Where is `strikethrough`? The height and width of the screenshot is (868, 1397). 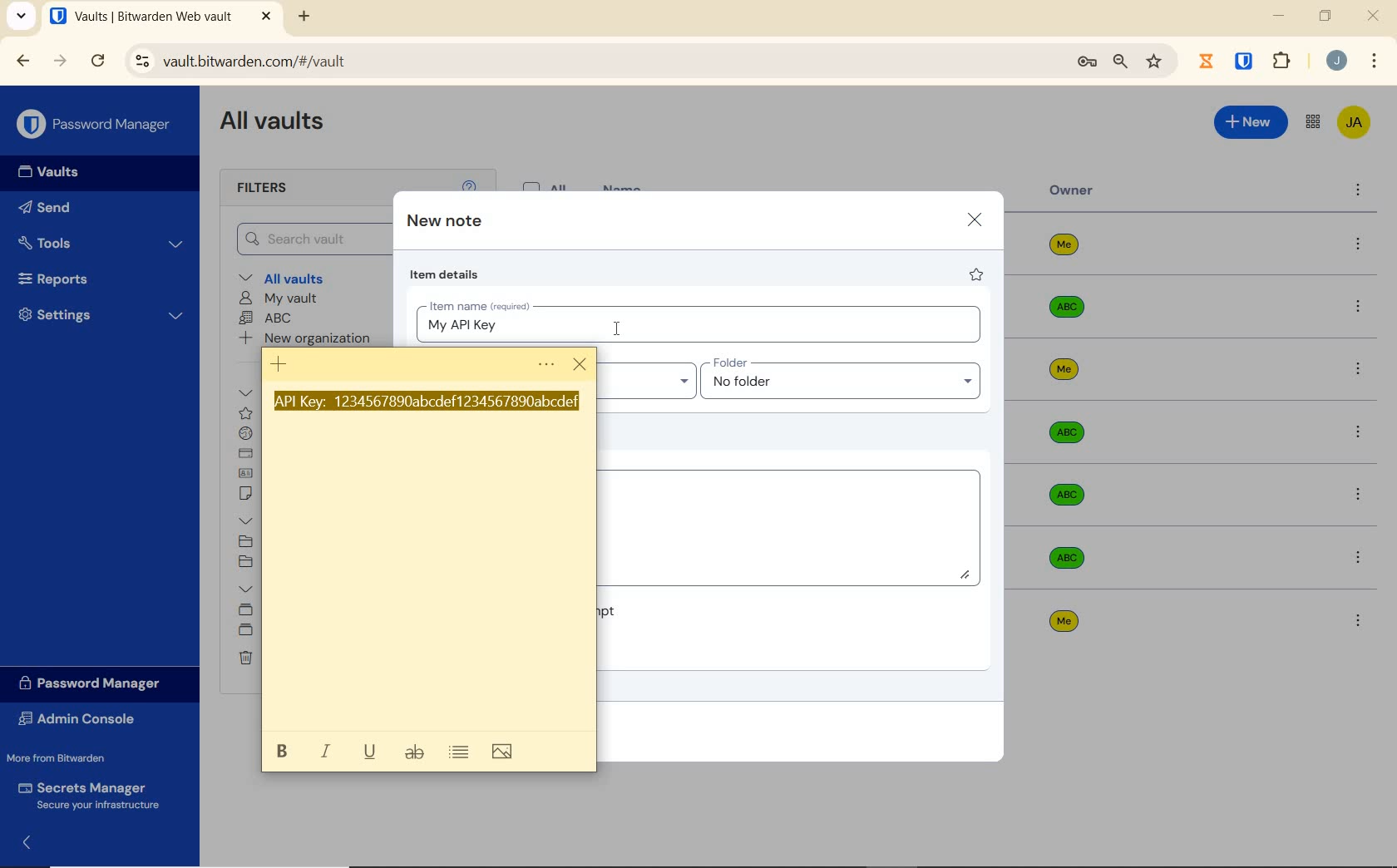 strikethrough is located at coordinates (415, 755).